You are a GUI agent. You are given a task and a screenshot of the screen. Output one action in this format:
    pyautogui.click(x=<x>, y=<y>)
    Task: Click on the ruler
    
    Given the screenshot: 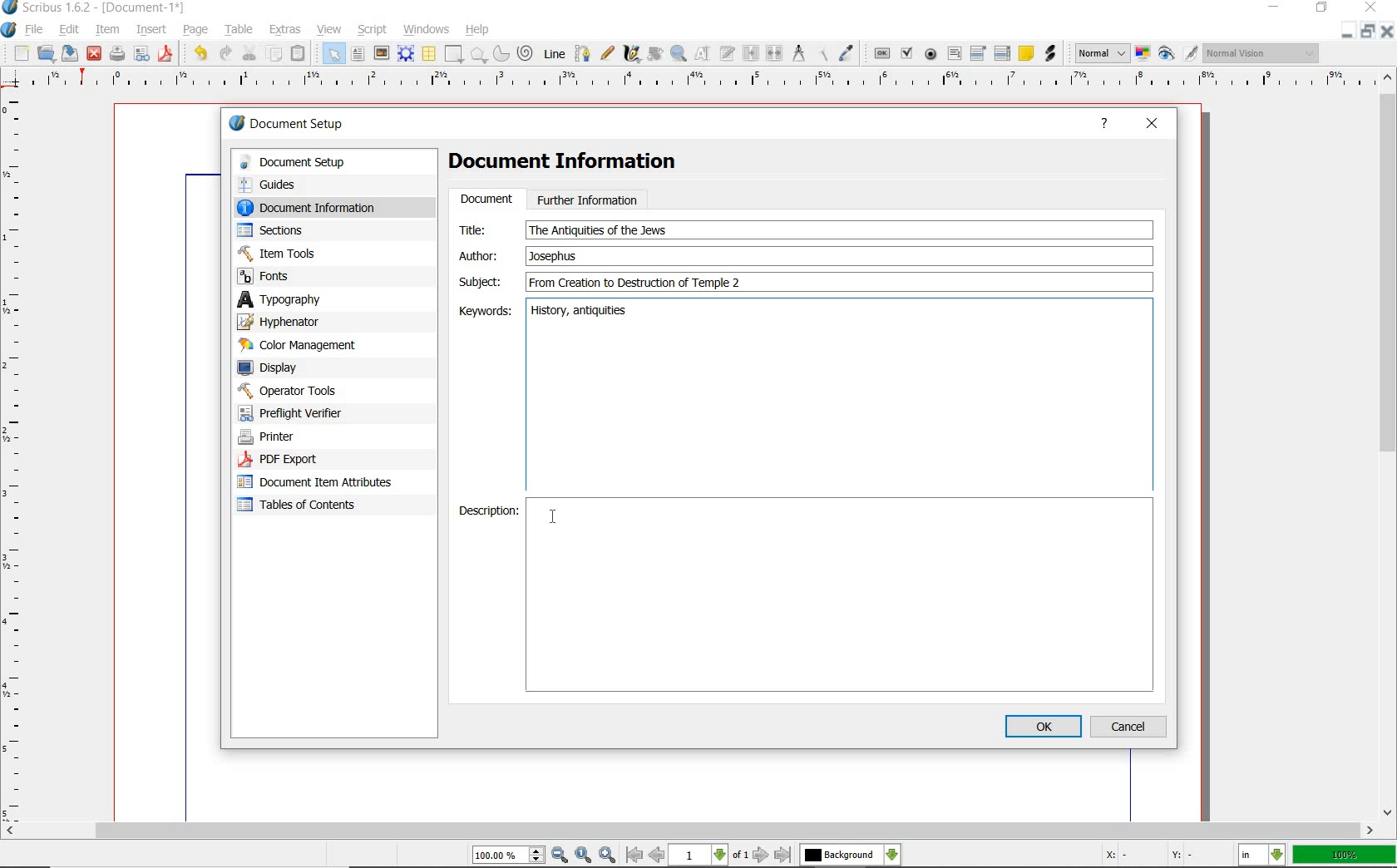 What is the action you would take?
    pyautogui.click(x=705, y=83)
    